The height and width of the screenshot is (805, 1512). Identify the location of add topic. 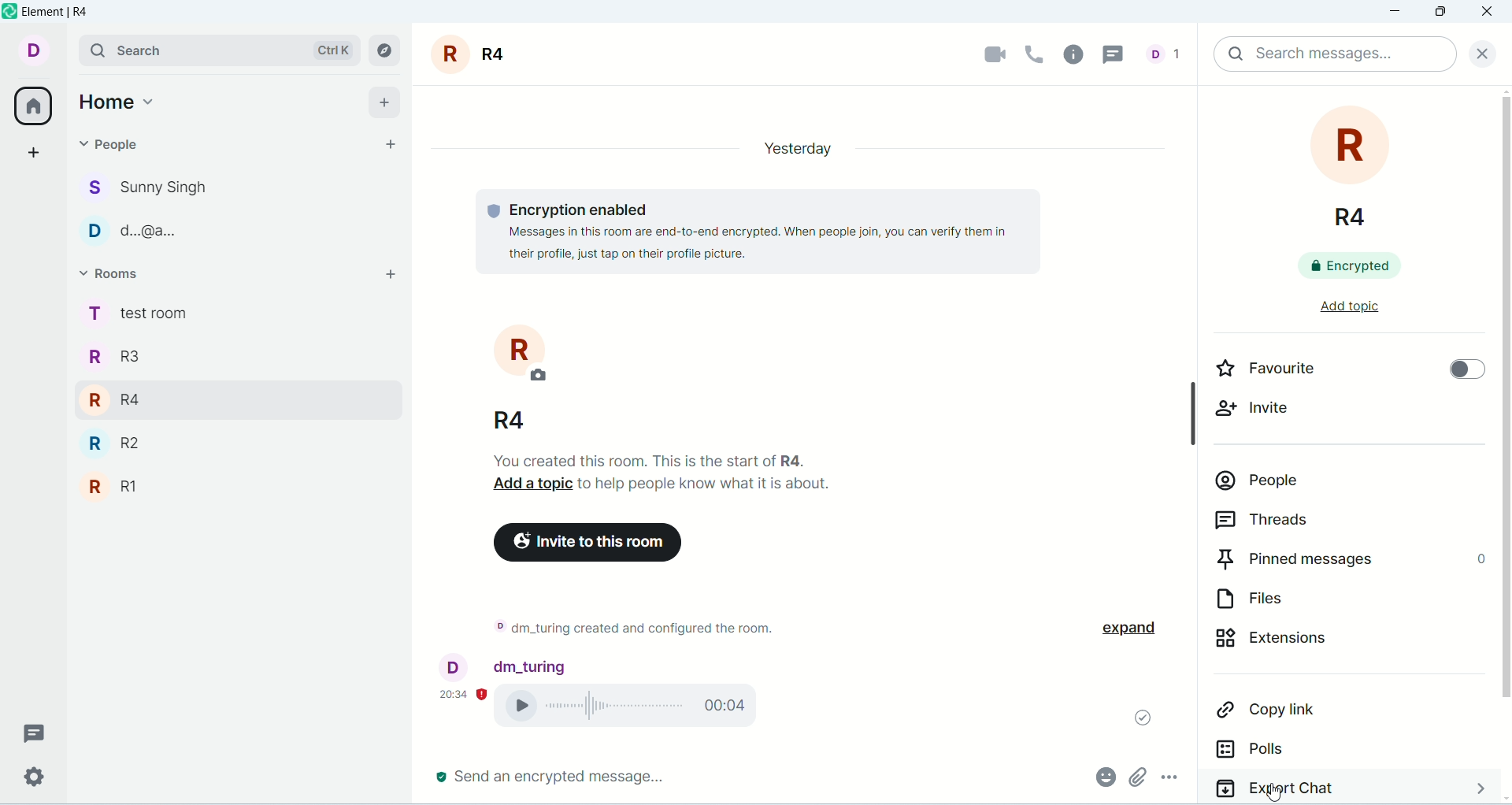
(1335, 310).